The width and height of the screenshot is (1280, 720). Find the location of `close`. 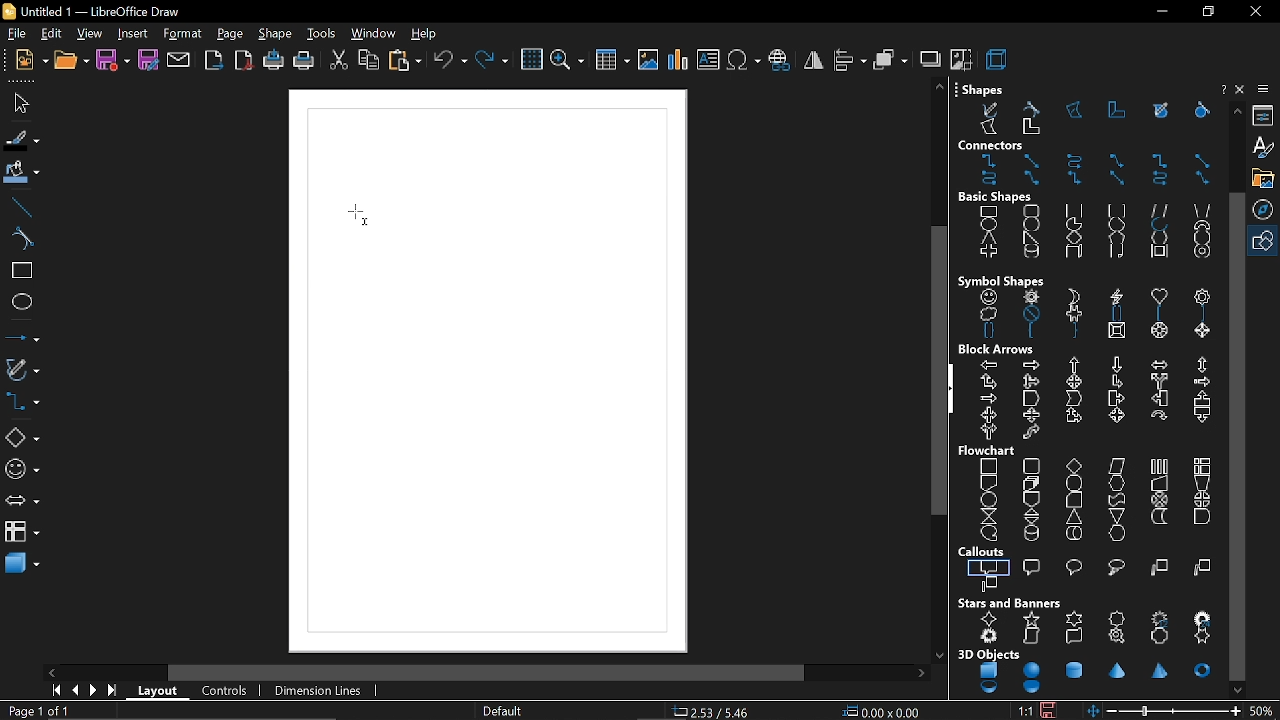

close is located at coordinates (1255, 11).